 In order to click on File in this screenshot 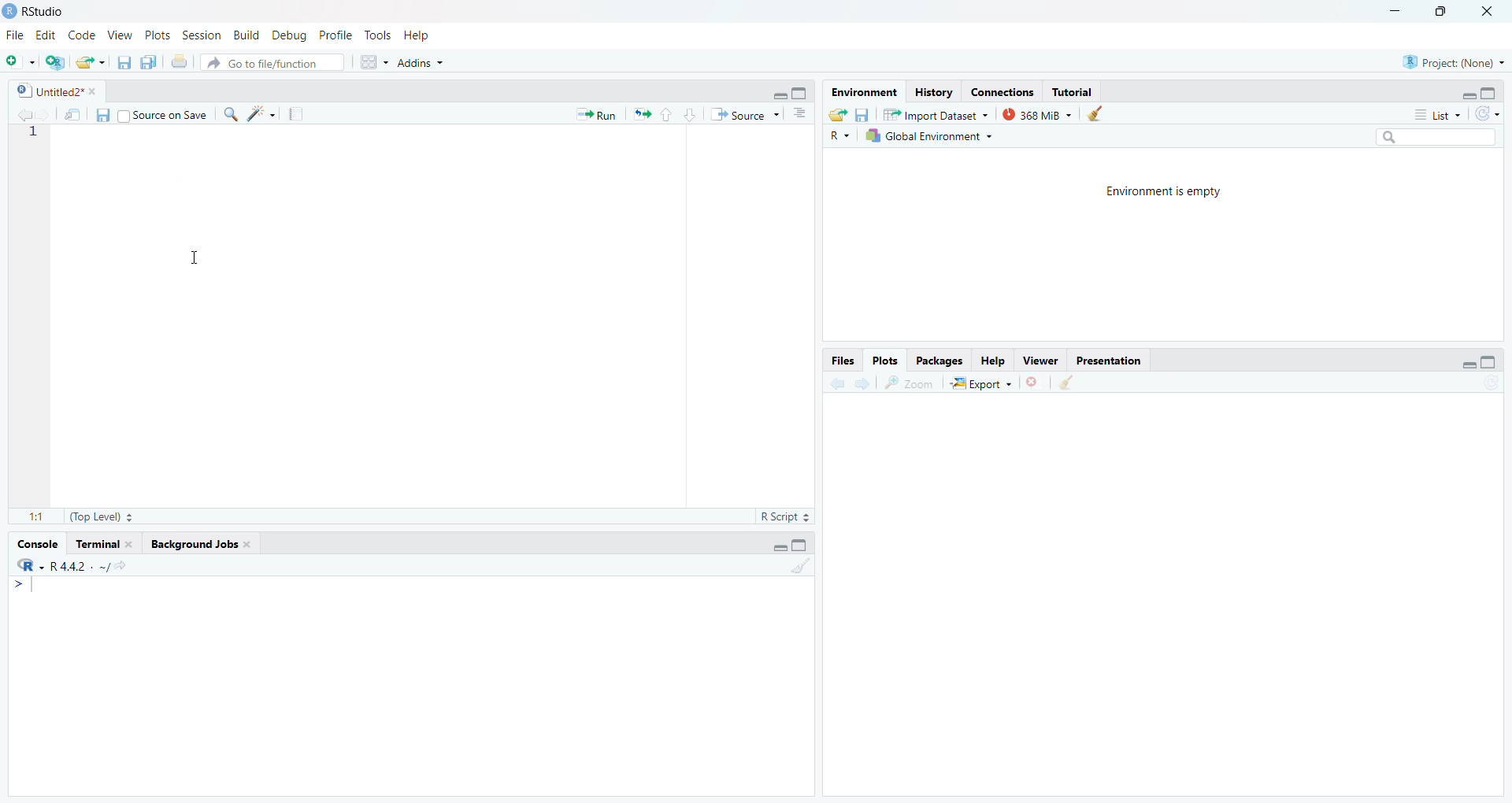, I will do `click(17, 36)`.